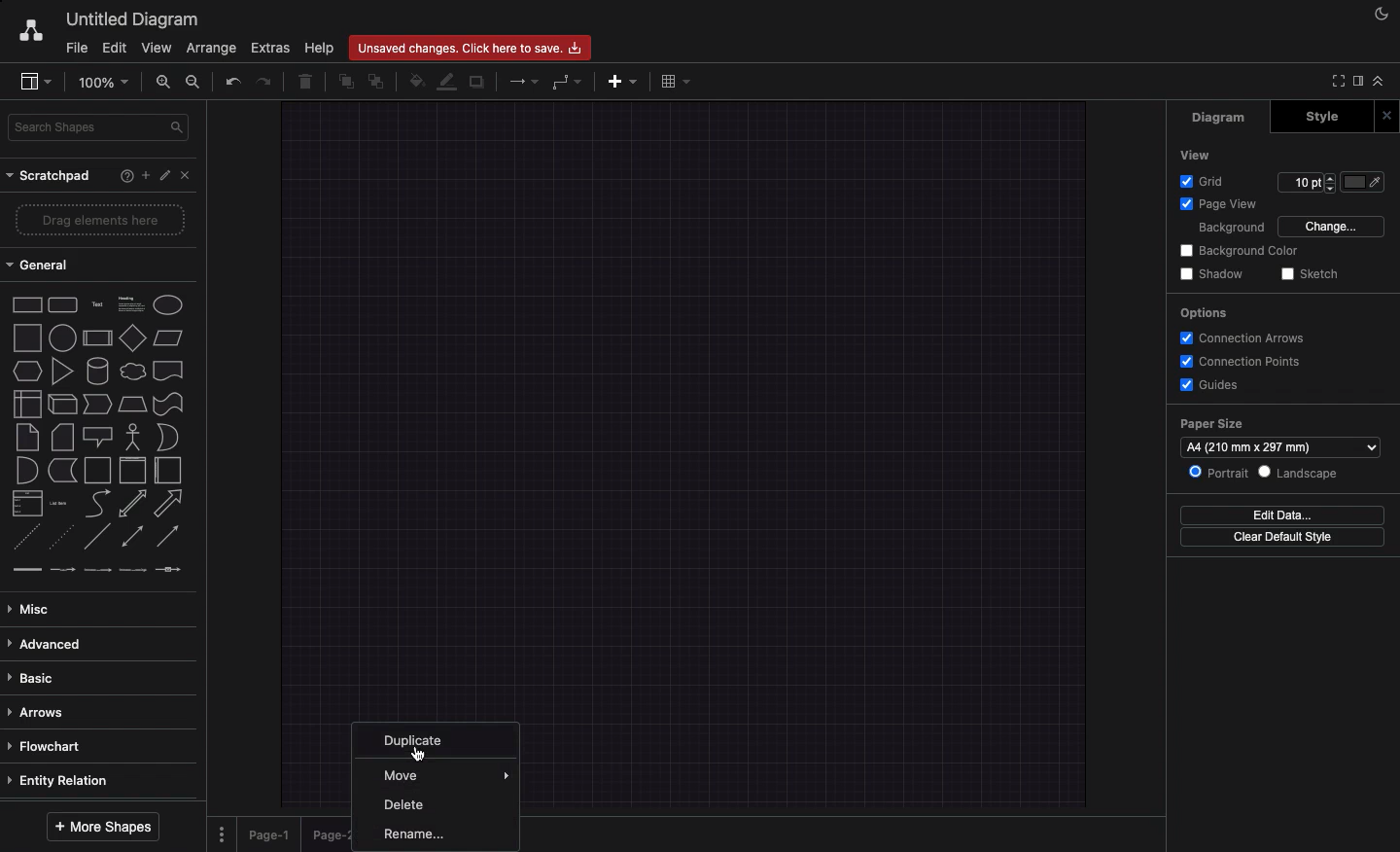 Image resolution: width=1400 pixels, height=852 pixels. I want to click on Draw.io logo, so click(31, 32).